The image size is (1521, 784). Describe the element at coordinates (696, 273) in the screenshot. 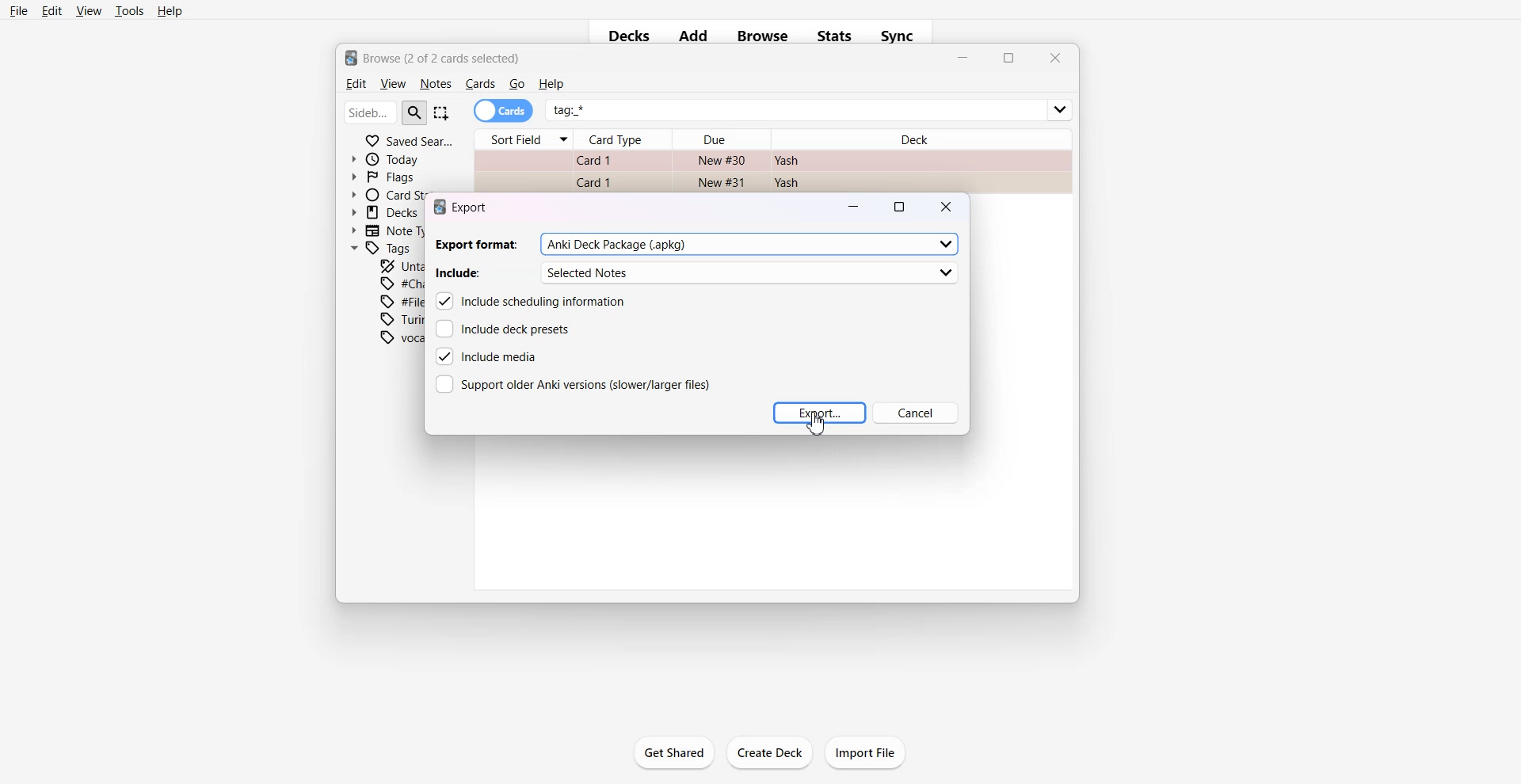

I see `Include` at that location.